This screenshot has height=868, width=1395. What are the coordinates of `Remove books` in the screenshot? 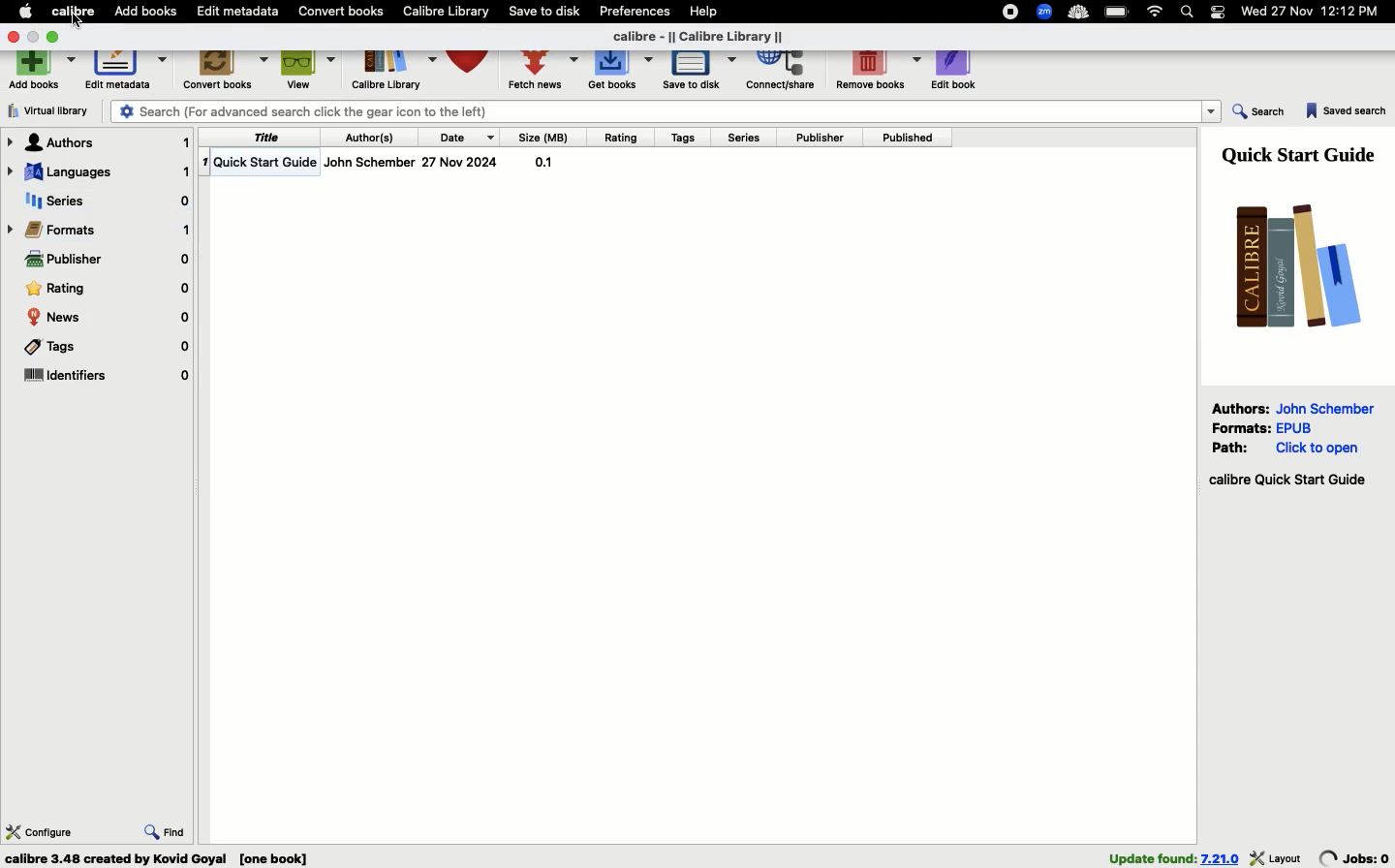 It's located at (880, 72).